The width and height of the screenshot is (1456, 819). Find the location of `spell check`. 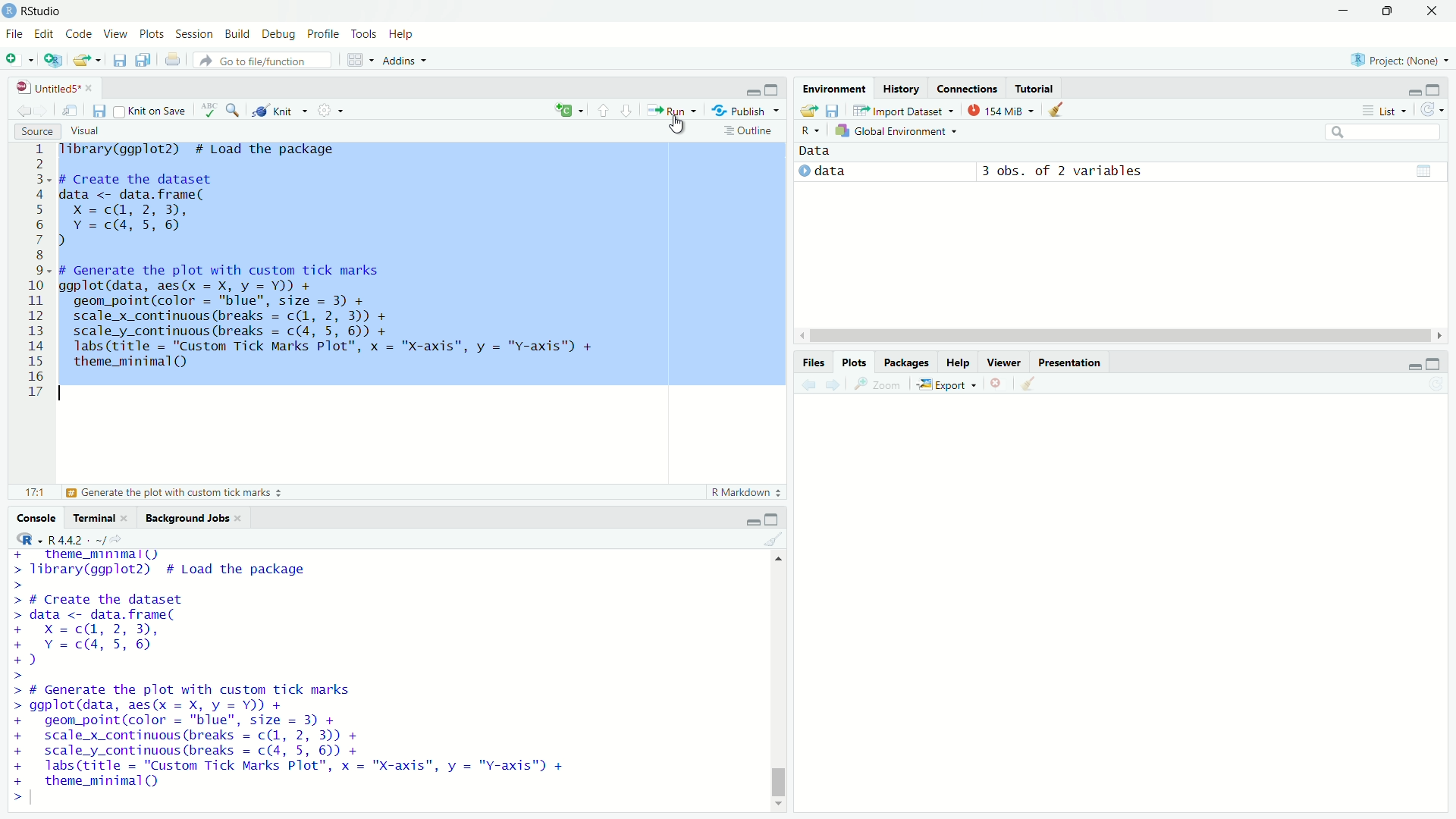

spell check is located at coordinates (212, 110).